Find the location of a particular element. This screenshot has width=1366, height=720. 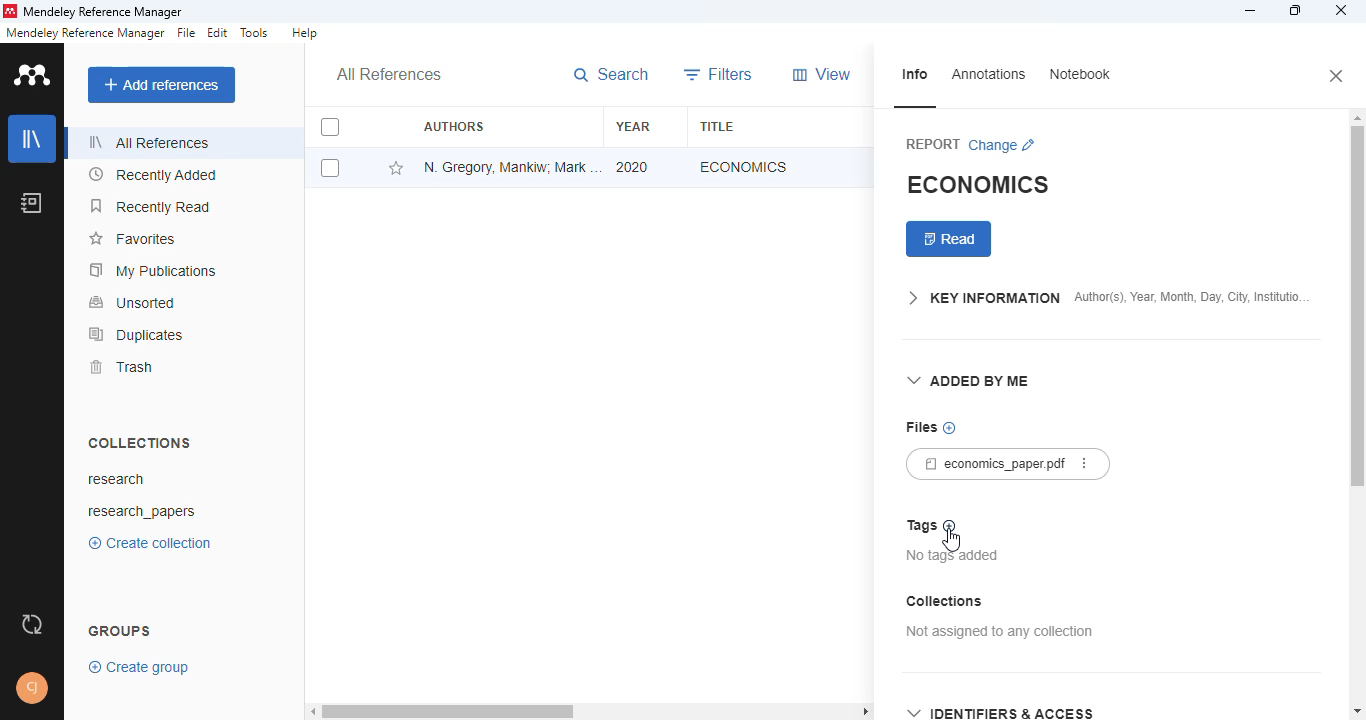

read is located at coordinates (949, 239).